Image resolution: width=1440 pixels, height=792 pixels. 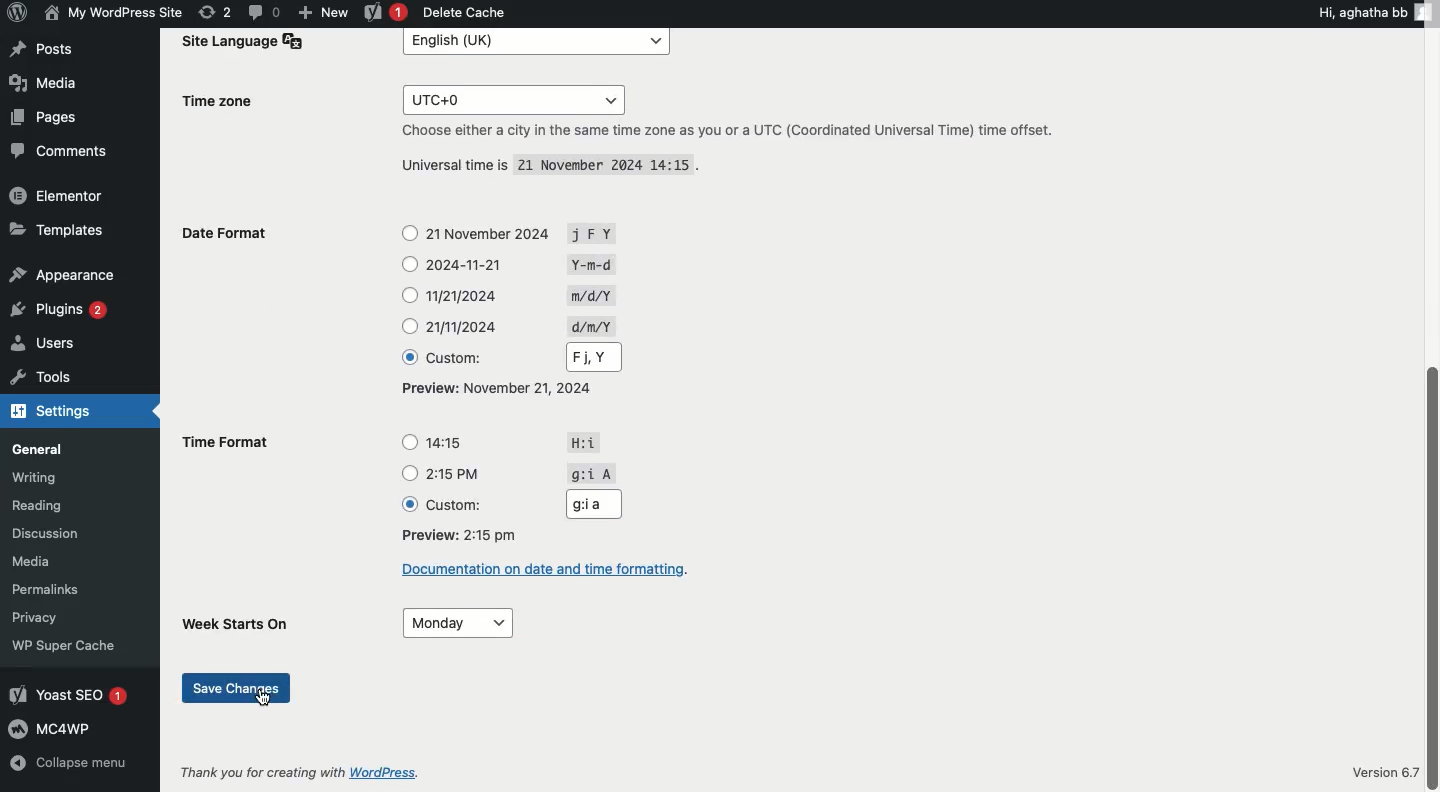 I want to click on Site Language, so click(x=243, y=43).